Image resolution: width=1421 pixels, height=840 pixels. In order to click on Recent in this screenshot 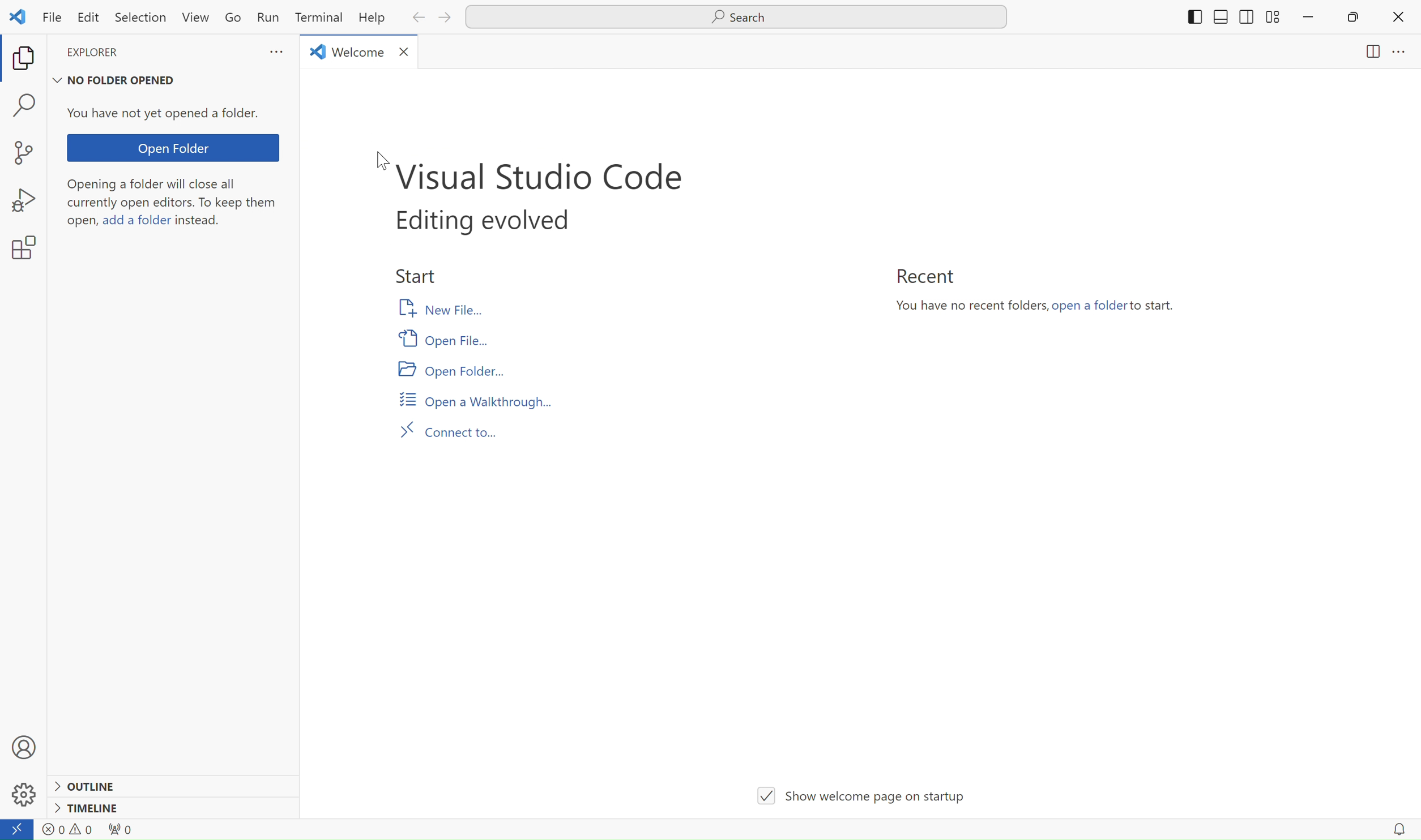, I will do `click(928, 276)`.